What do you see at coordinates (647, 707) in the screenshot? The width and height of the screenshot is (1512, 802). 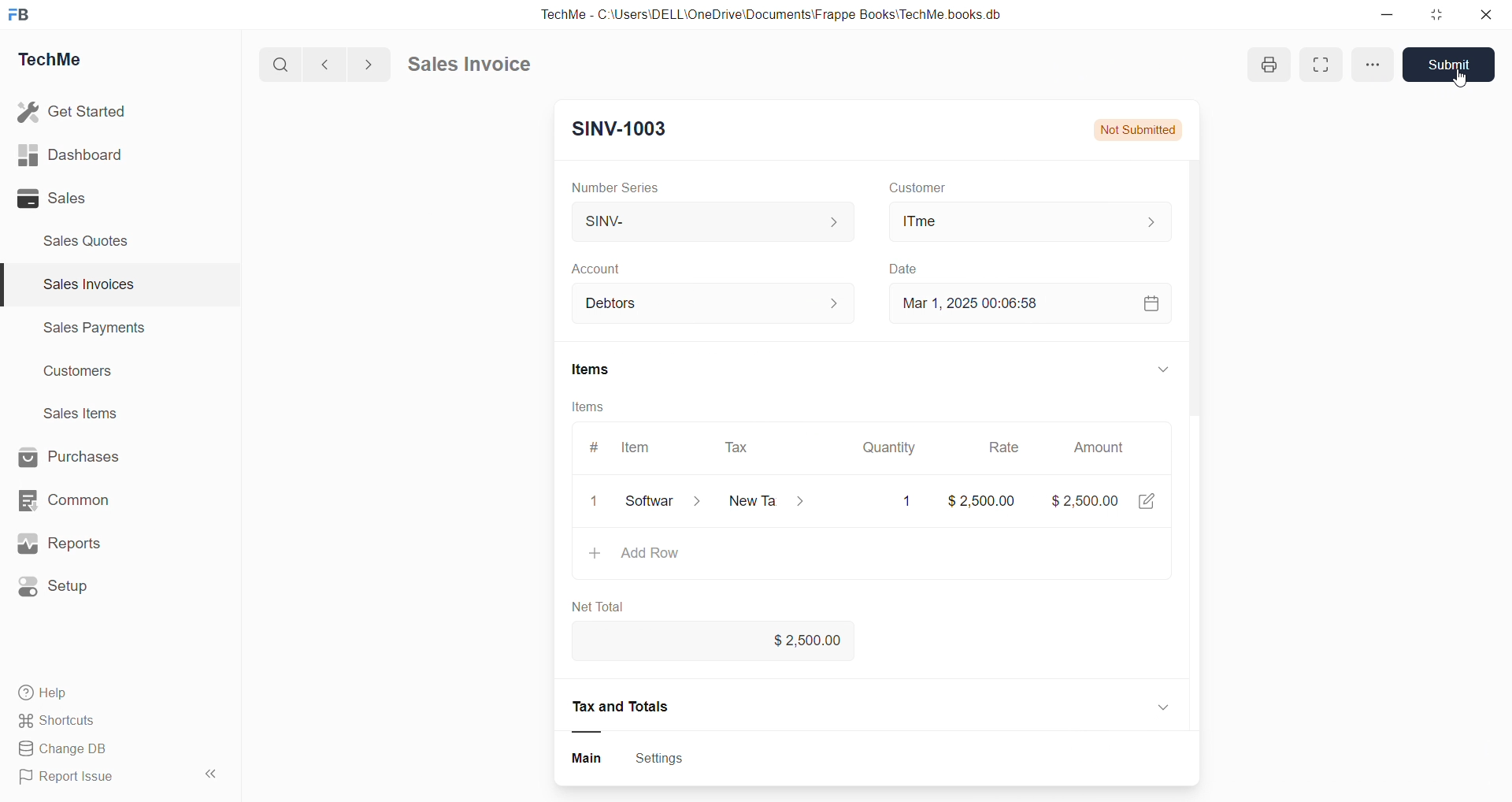 I see `Tax and Totals` at bounding box center [647, 707].